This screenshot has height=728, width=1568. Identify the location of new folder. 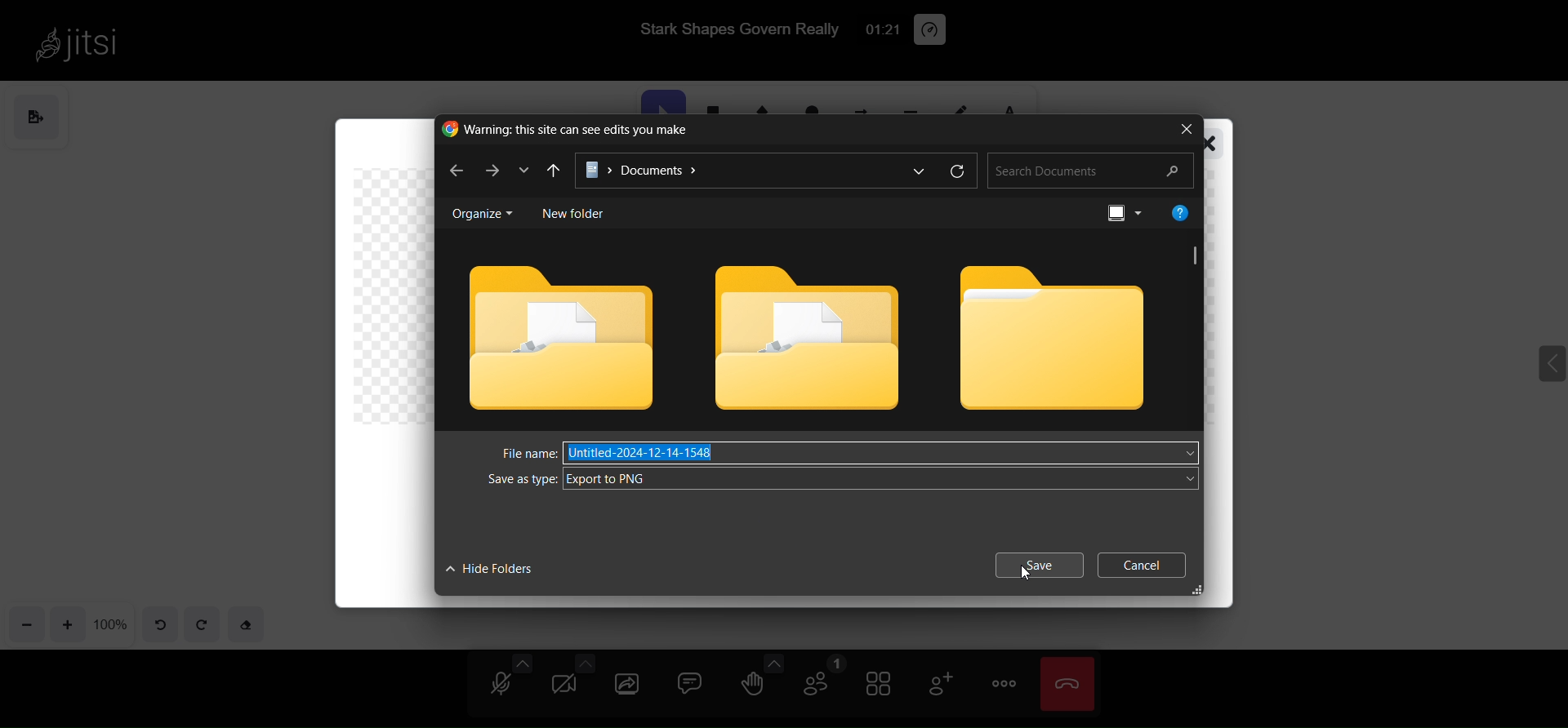
(572, 212).